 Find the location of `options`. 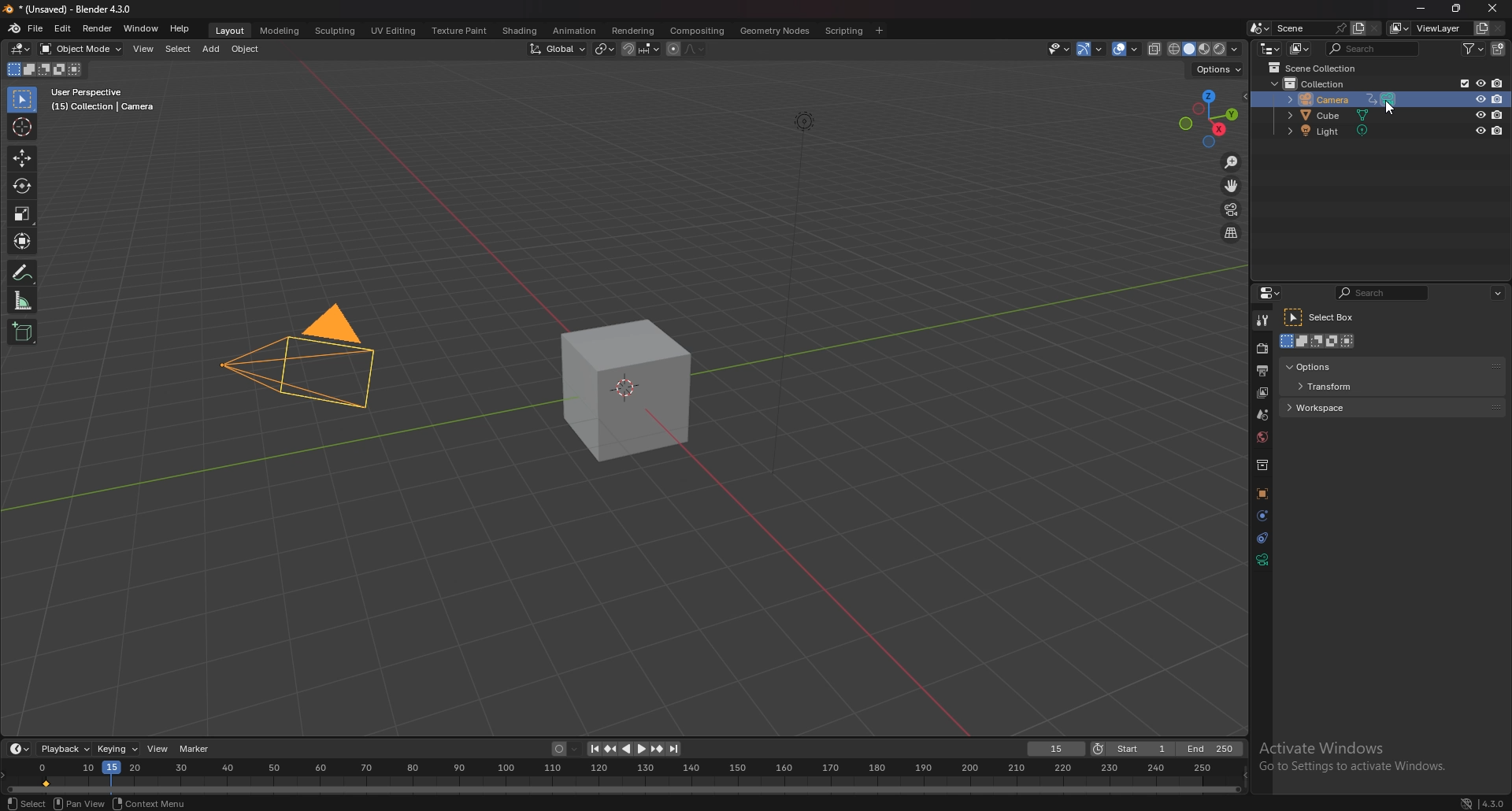

options is located at coordinates (1219, 69).